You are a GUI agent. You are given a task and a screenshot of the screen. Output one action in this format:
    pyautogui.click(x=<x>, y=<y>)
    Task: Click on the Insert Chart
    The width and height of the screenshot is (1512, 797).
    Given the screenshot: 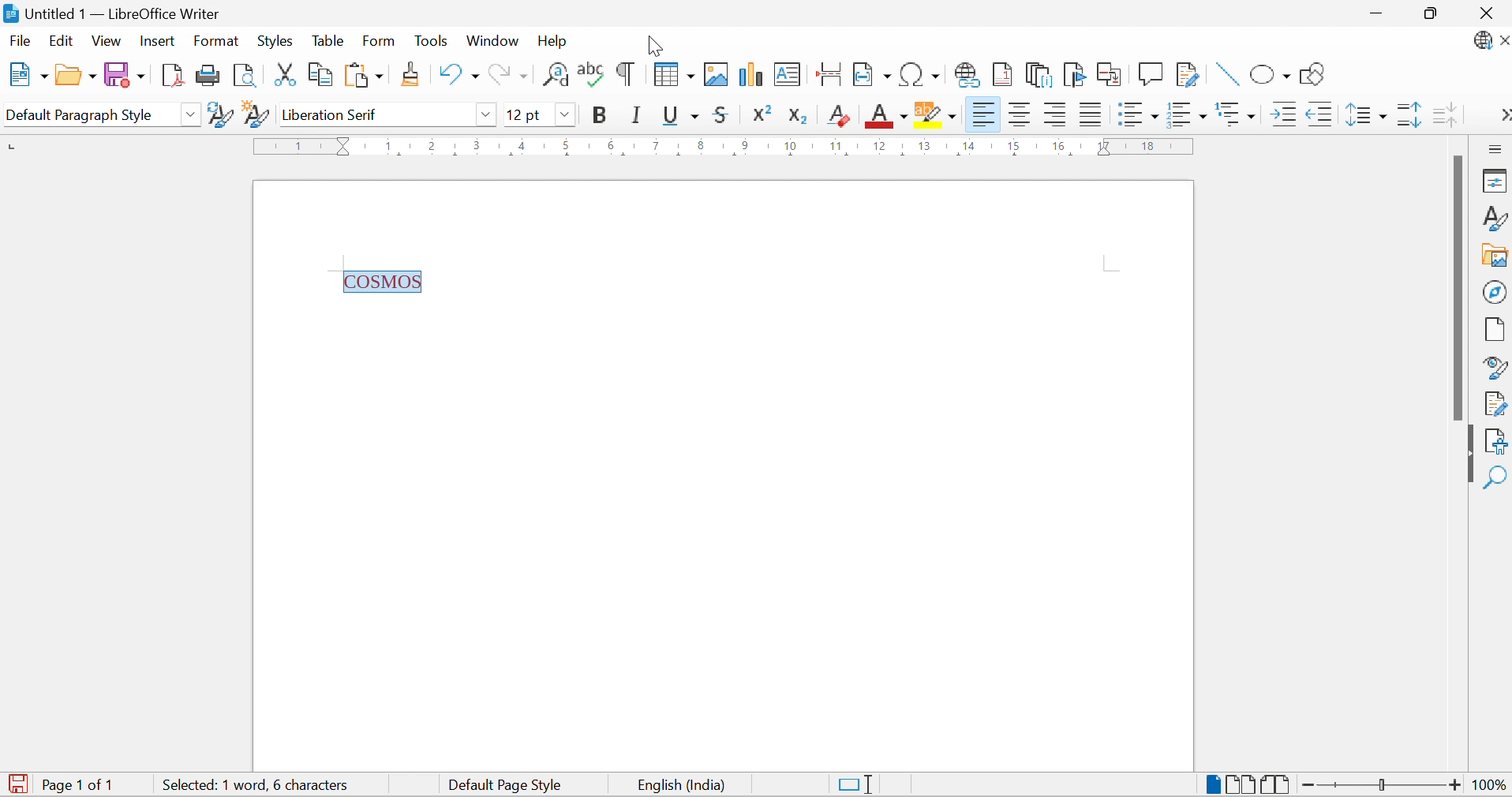 What is the action you would take?
    pyautogui.click(x=750, y=74)
    